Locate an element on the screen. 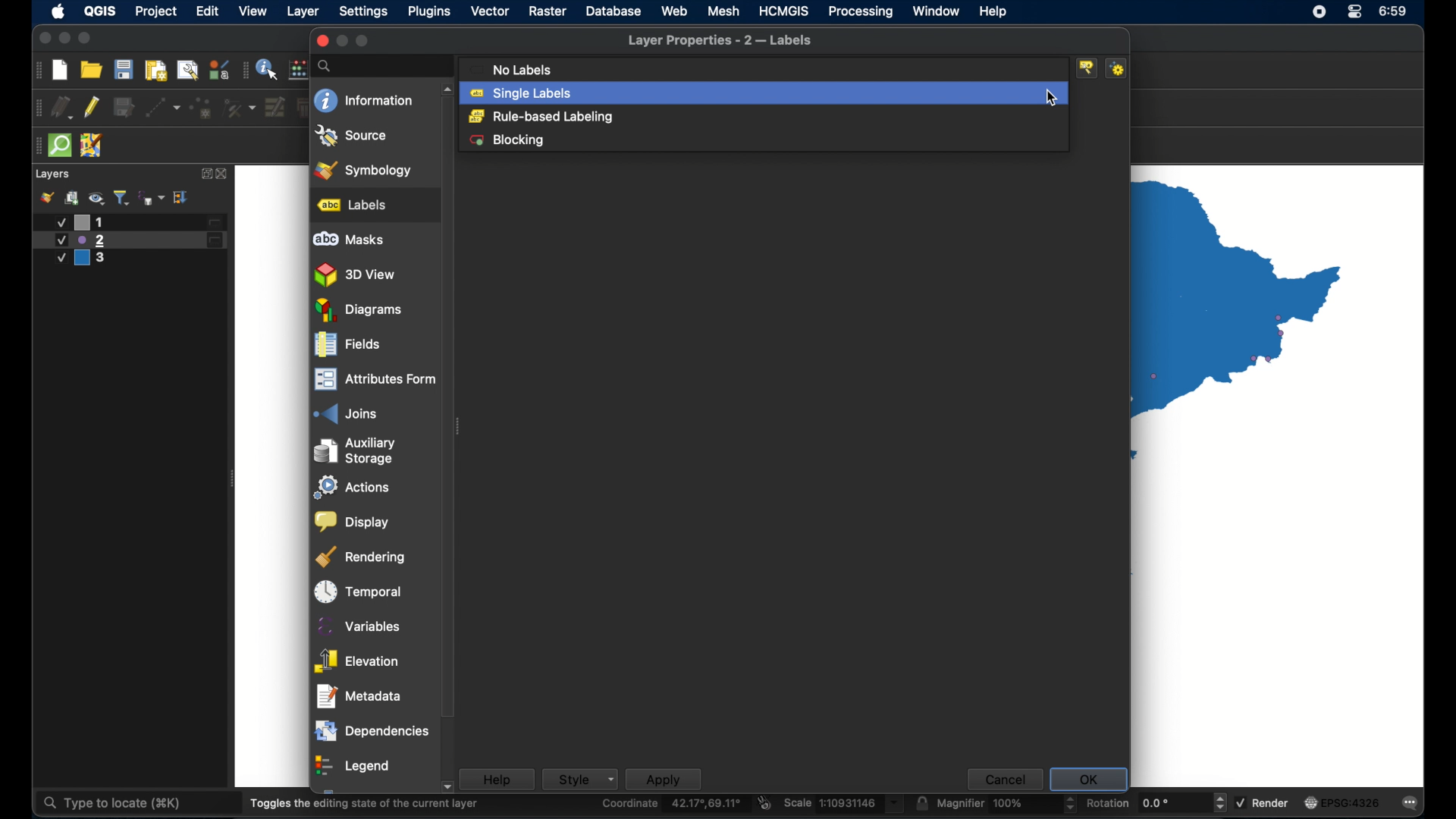 The height and width of the screenshot is (819, 1456). edit is located at coordinates (209, 11).